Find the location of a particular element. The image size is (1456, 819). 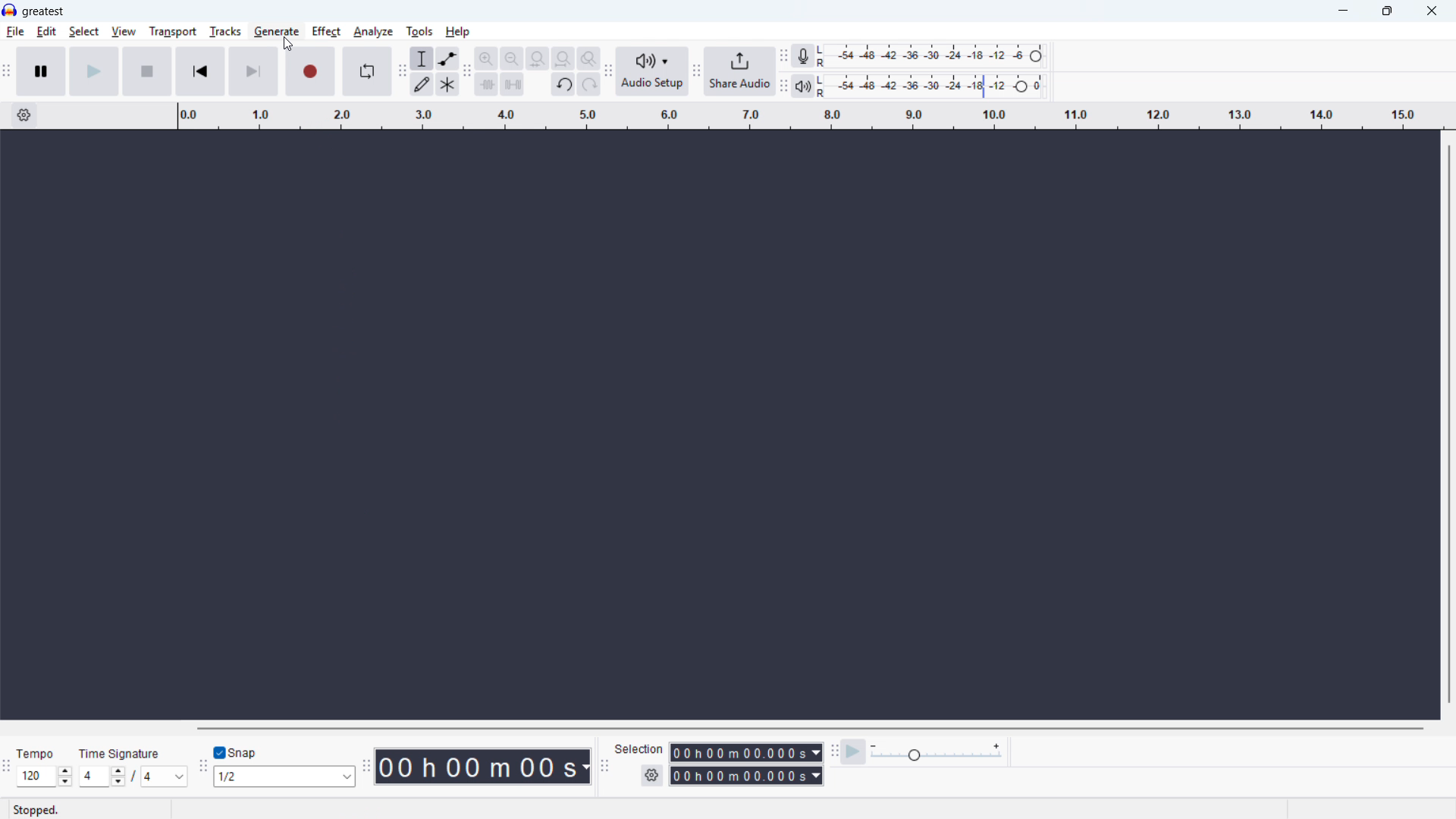

Set tempo  is located at coordinates (44, 777).